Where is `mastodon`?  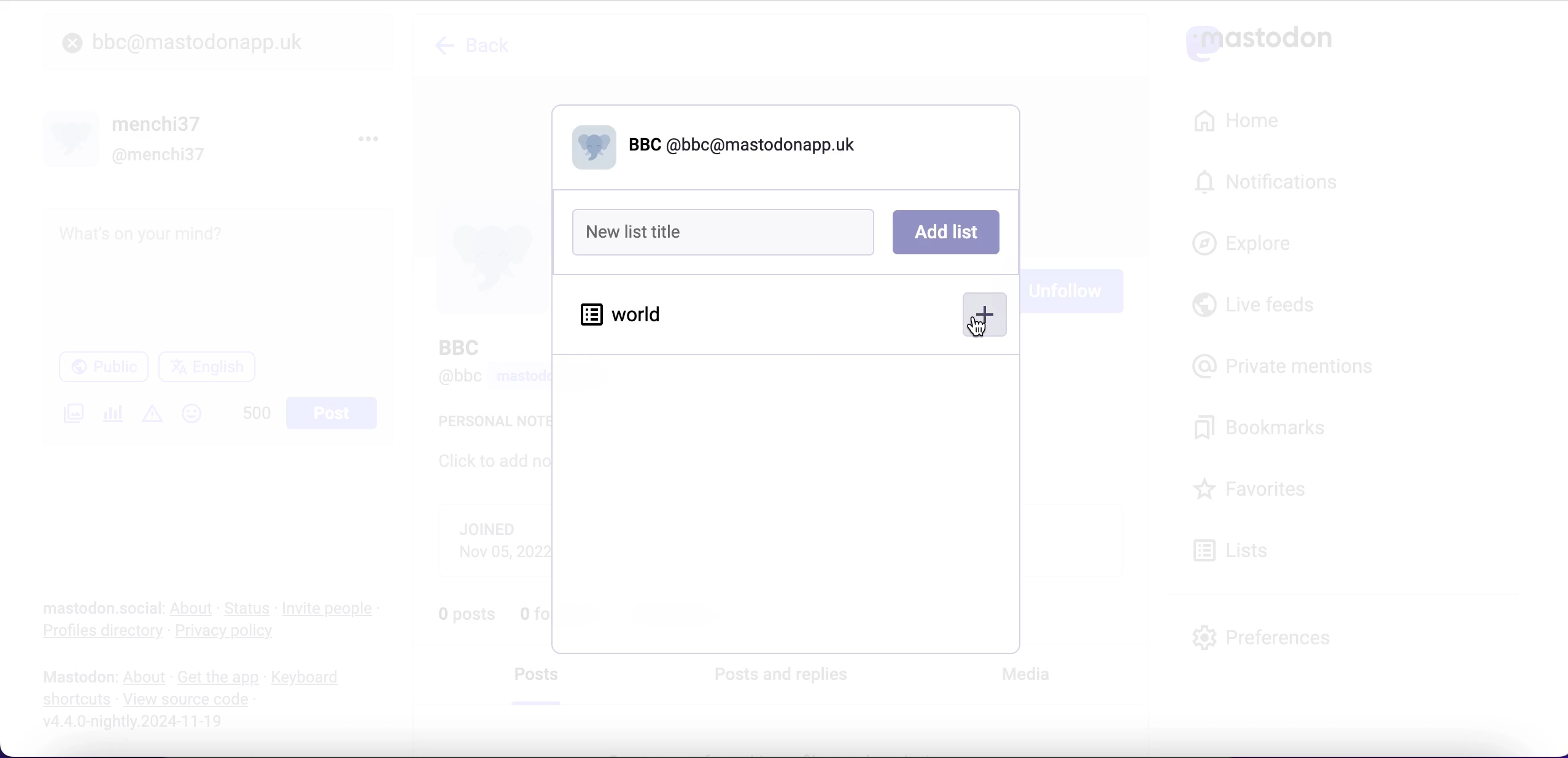
mastodon is located at coordinates (79, 677).